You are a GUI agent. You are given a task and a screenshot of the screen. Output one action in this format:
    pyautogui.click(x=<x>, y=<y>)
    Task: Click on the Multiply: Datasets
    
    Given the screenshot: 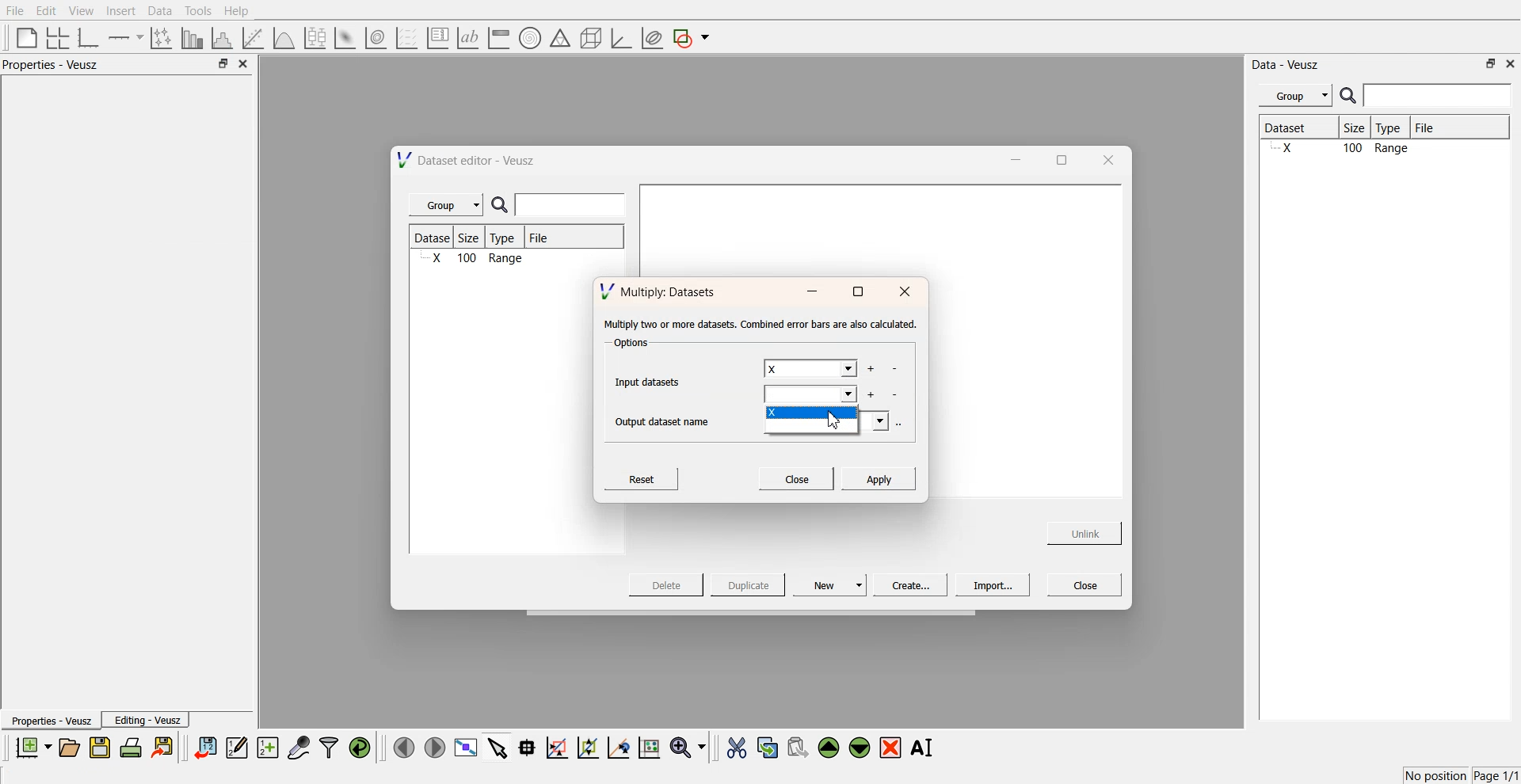 What is the action you would take?
    pyautogui.click(x=660, y=290)
    